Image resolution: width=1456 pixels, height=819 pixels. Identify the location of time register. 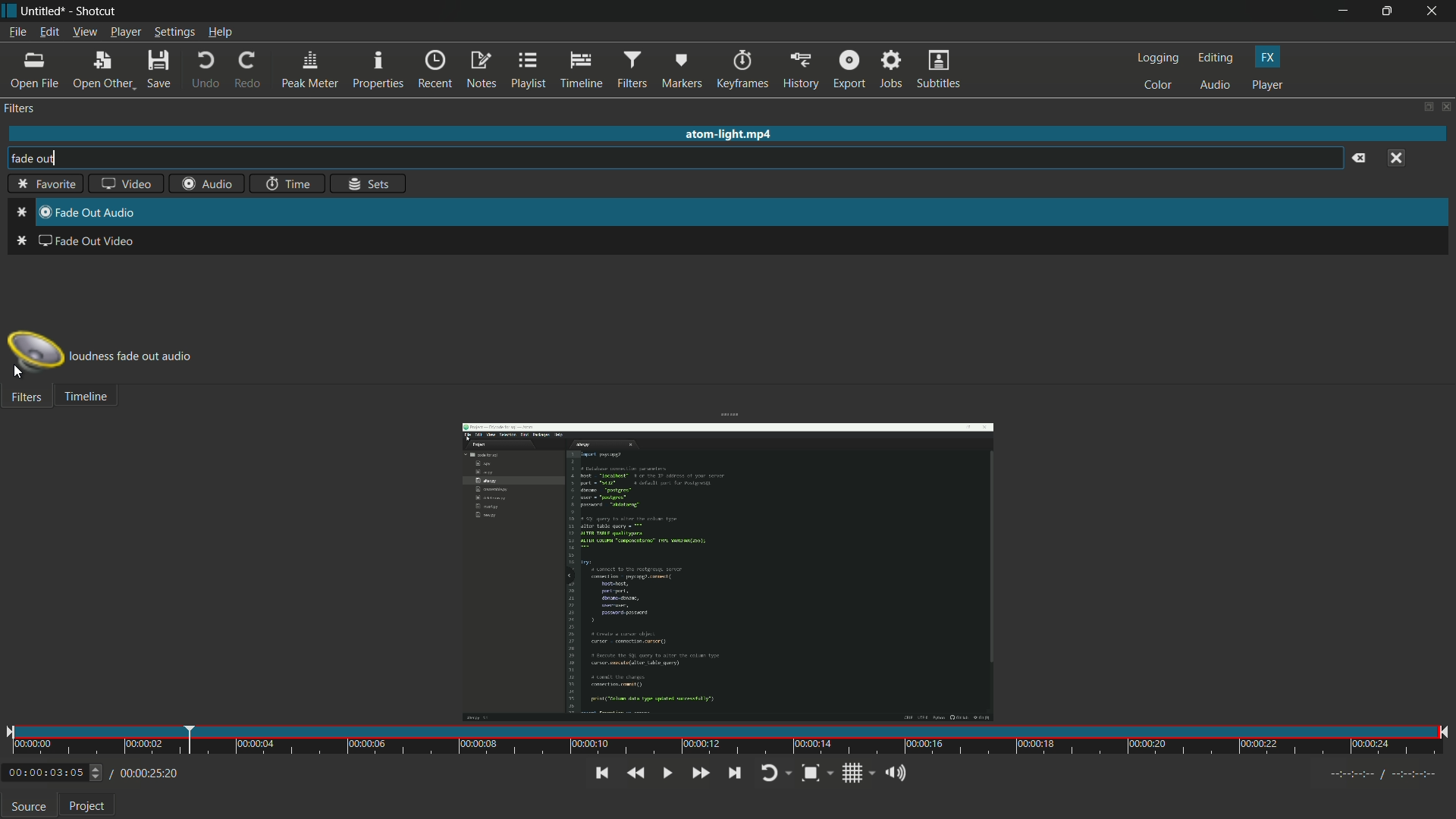
(1385, 774).